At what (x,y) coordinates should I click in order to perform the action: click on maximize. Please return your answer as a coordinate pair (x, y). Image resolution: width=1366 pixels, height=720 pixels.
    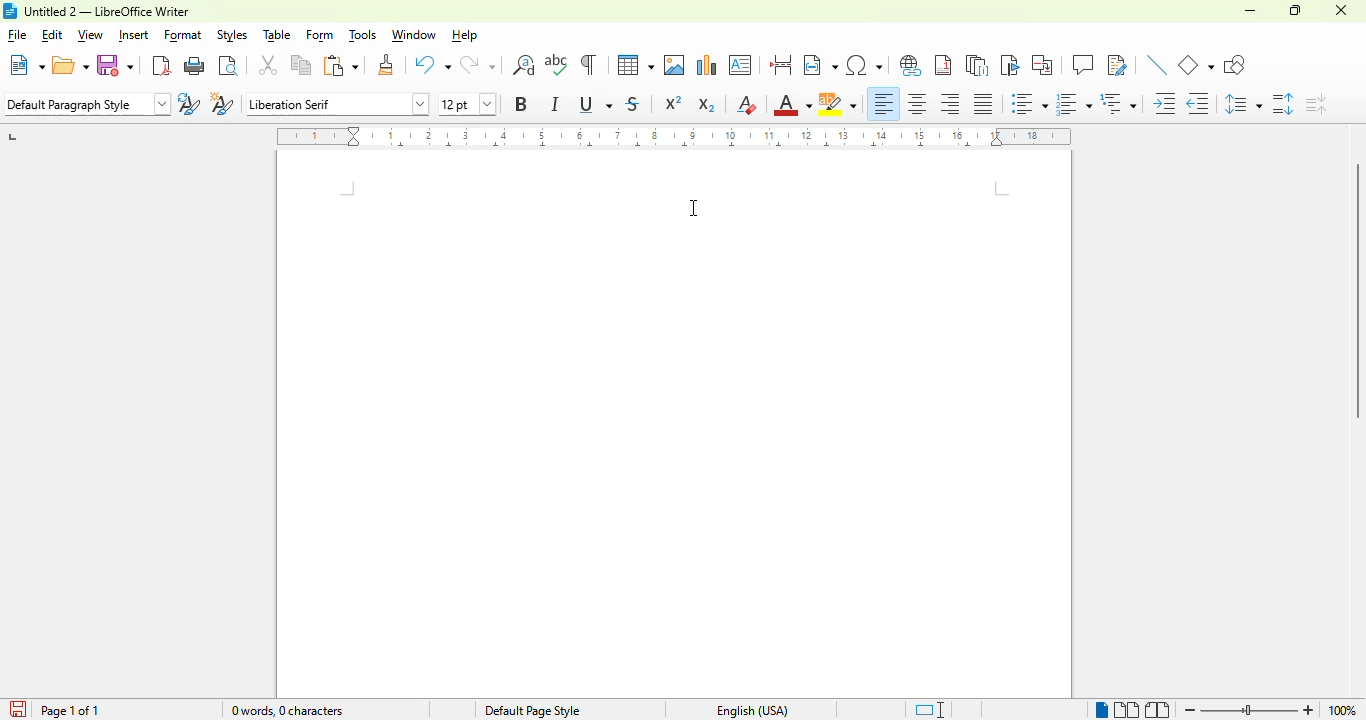
    Looking at the image, I should click on (1294, 10).